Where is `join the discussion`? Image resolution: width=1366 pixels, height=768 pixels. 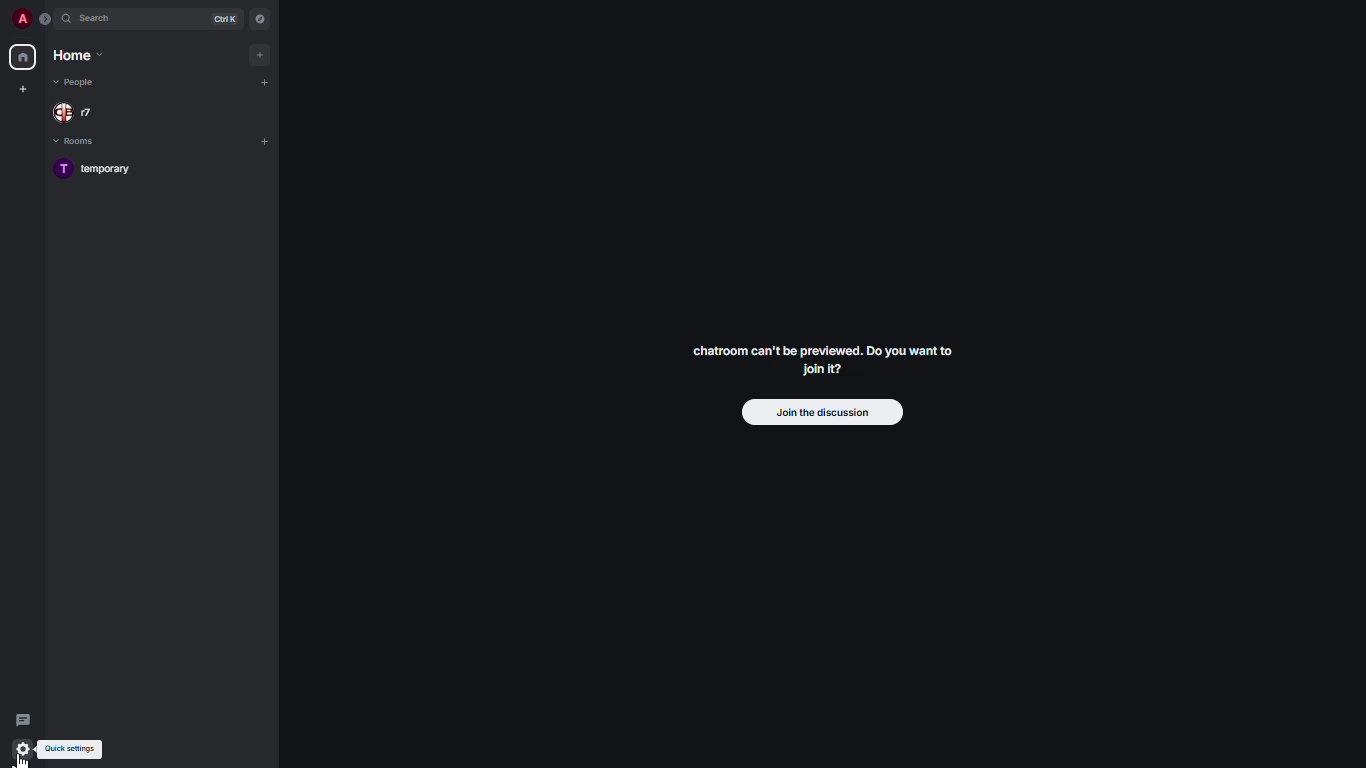 join the discussion is located at coordinates (815, 411).